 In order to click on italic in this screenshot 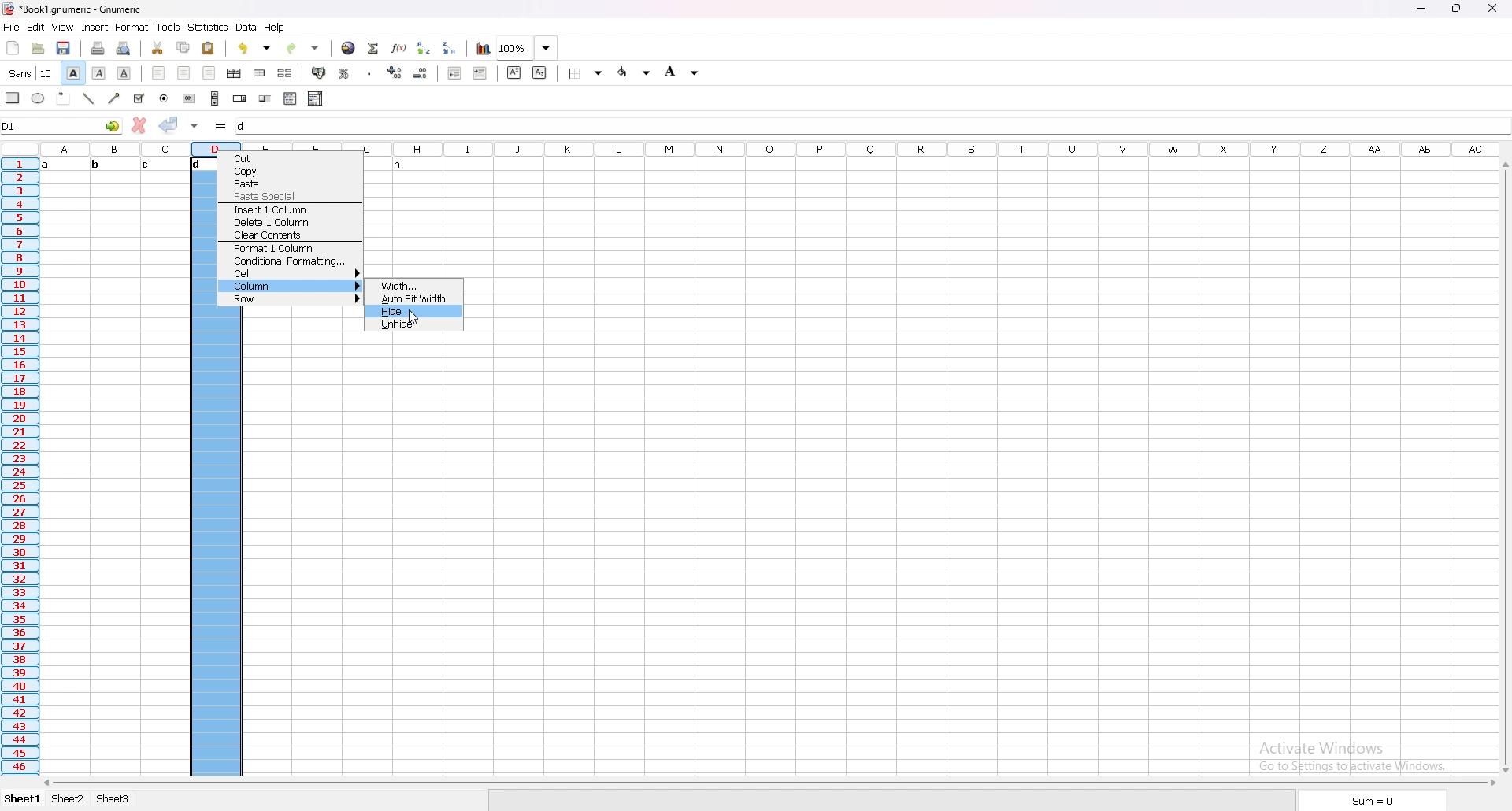, I will do `click(101, 72)`.